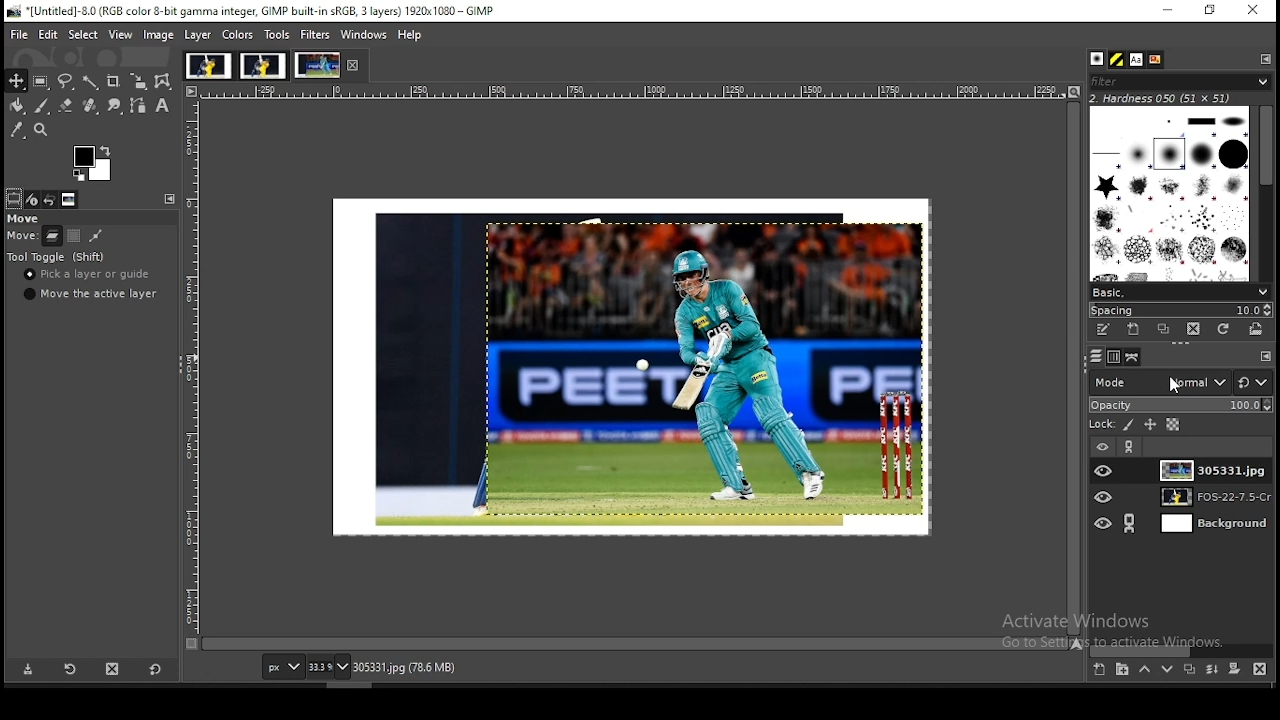  What do you see at coordinates (1263, 59) in the screenshot?
I see `configure this tab` at bounding box center [1263, 59].